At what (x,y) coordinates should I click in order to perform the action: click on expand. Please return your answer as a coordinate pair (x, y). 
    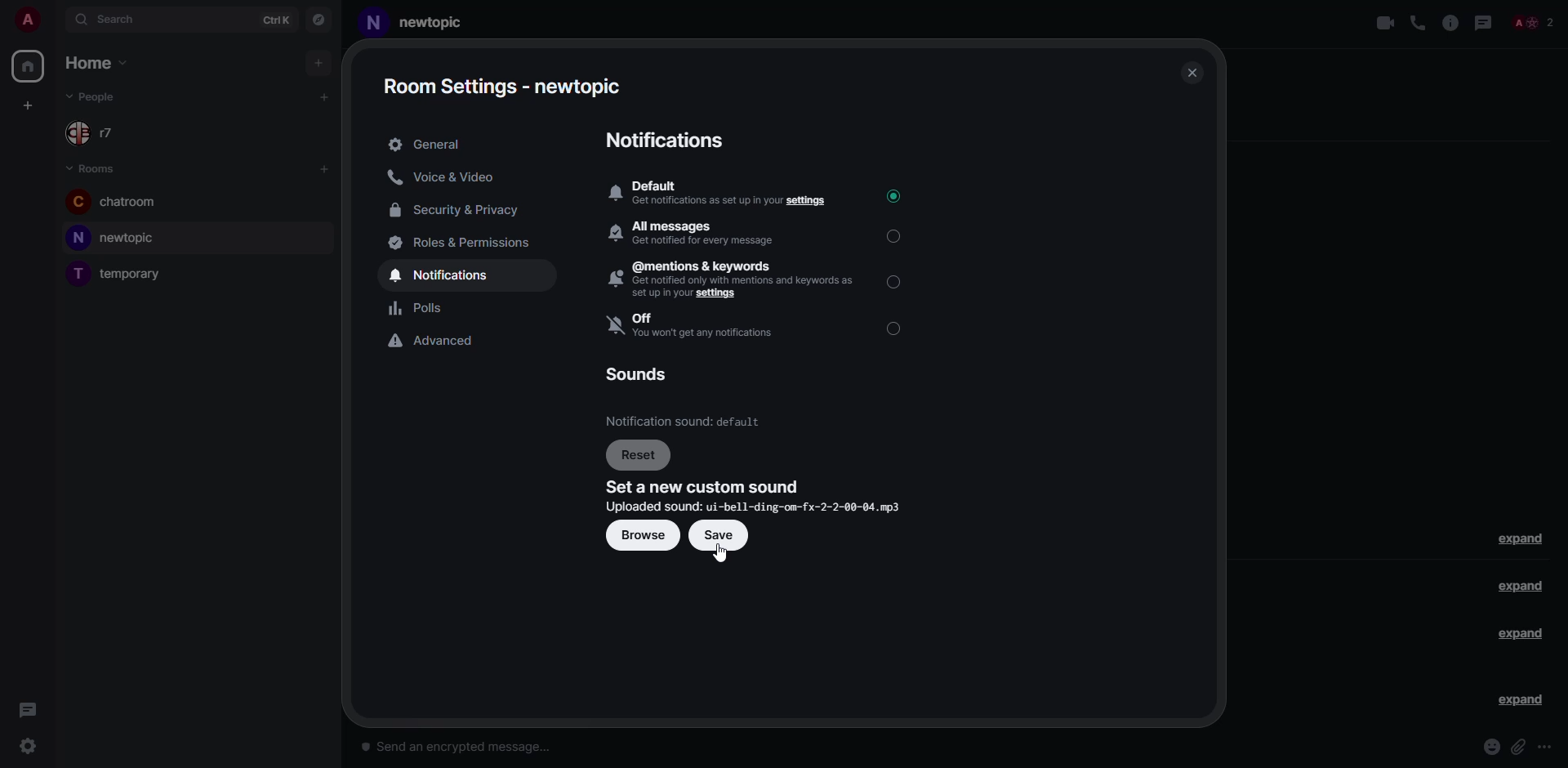
    Looking at the image, I should click on (1517, 587).